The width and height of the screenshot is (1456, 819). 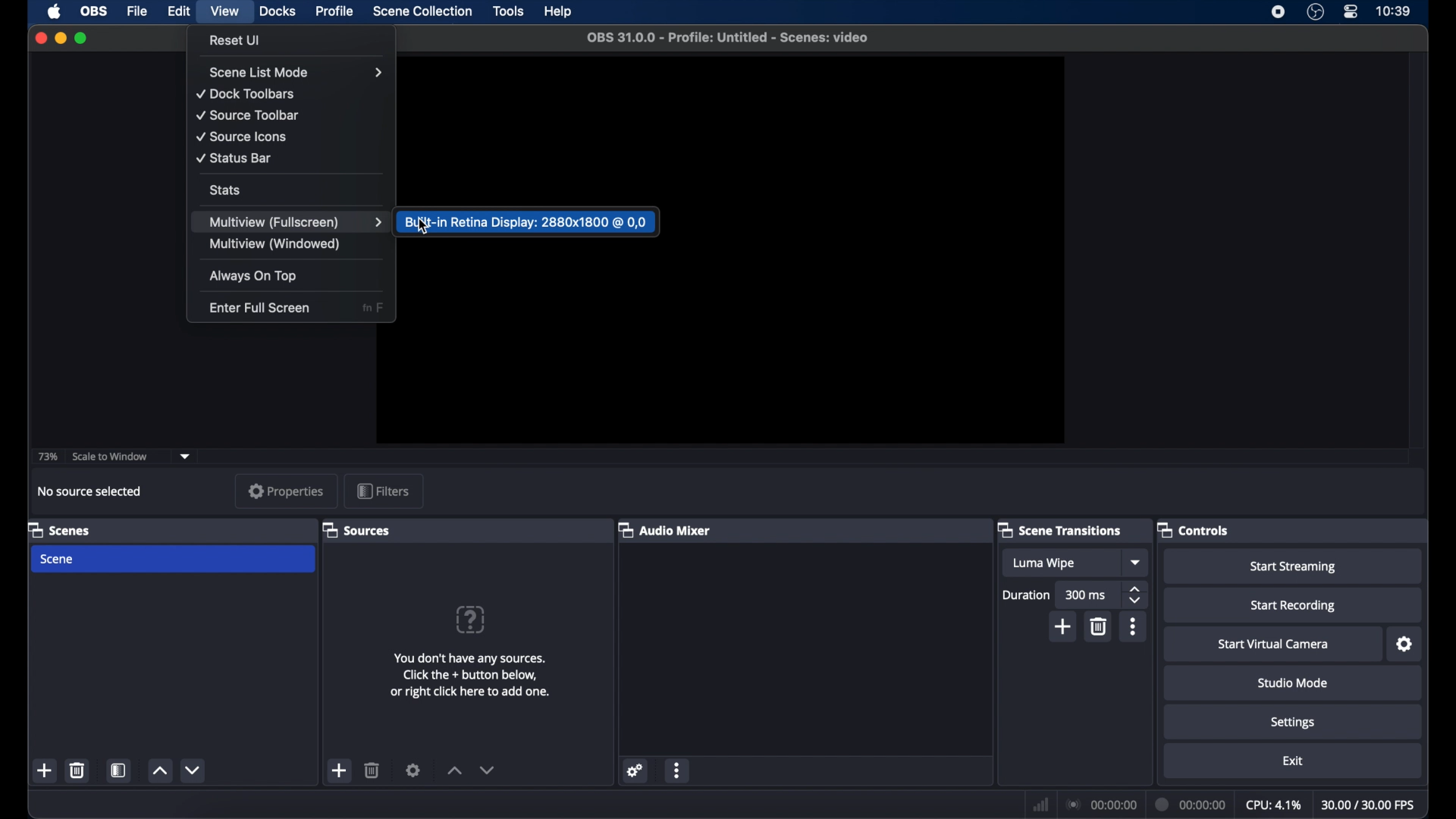 What do you see at coordinates (1137, 595) in the screenshot?
I see `stepper buttons` at bounding box center [1137, 595].